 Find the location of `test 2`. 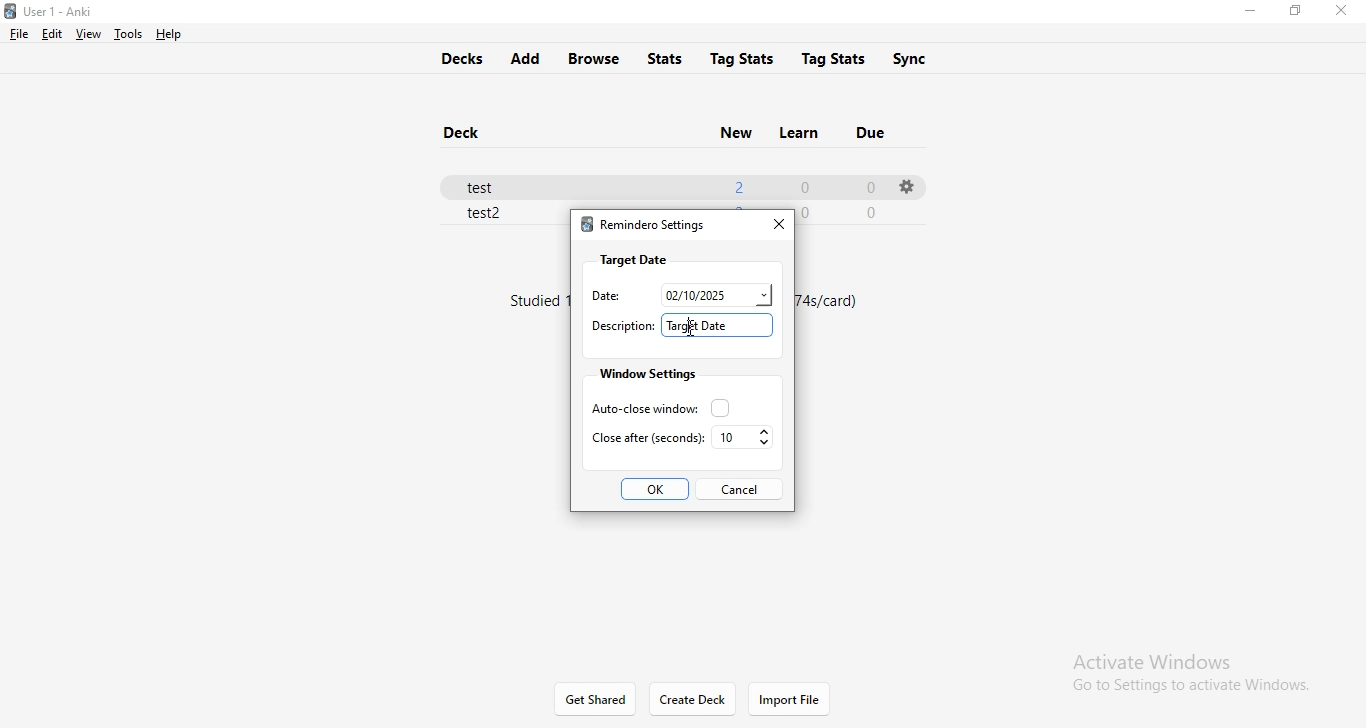

test 2 is located at coordinates (486, 215).